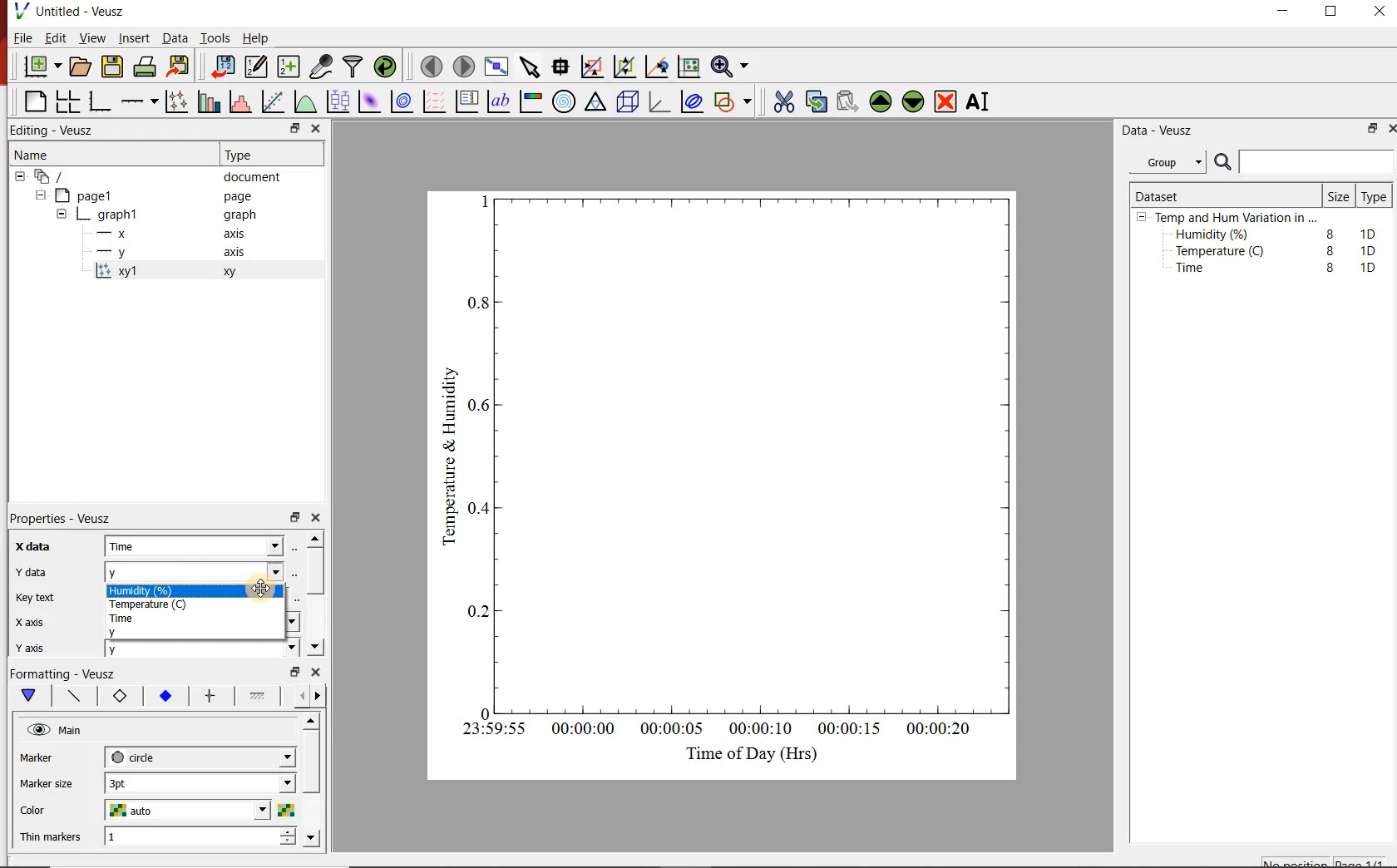 The image size is (1397, 868). Describe the element at coordinates (565, 103) in the screenshot. I see `polar graph` at that location.